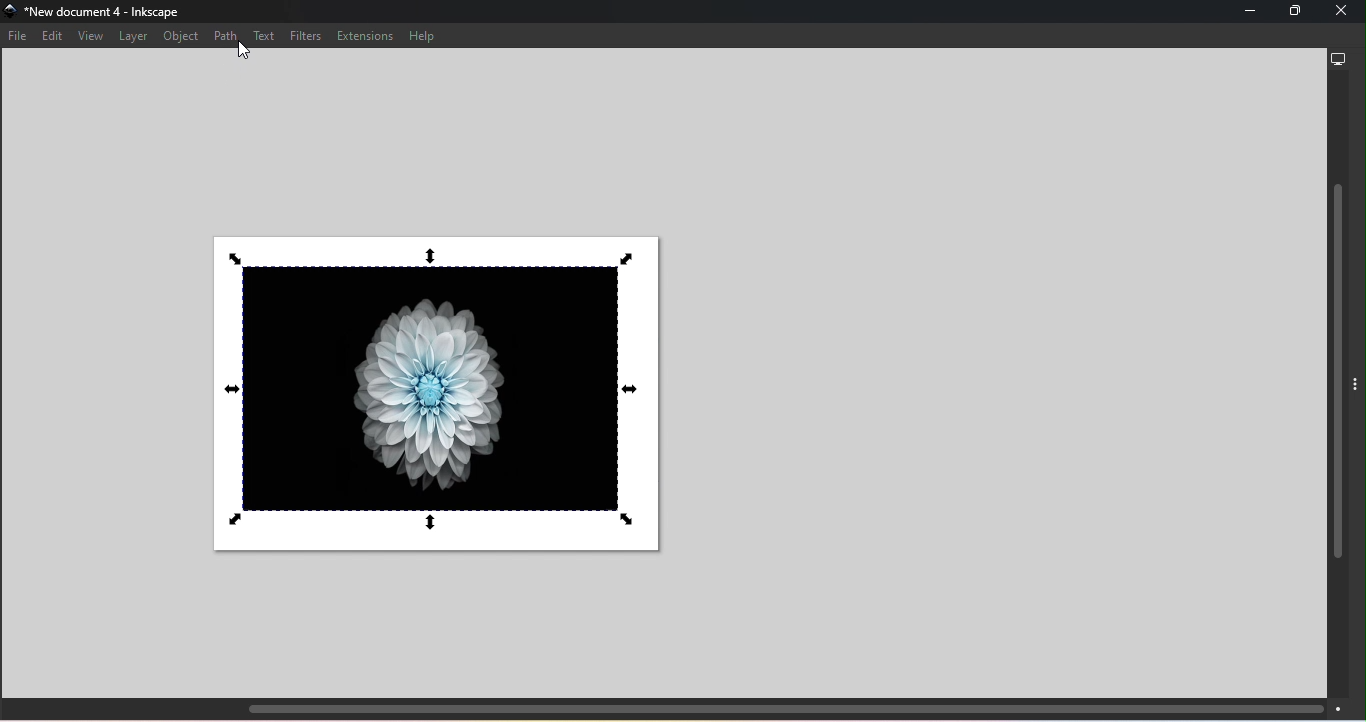 This screenshot has width=1366, height=722. Describe the element at coordinates (246, 52) in the screenshot. I see `Cursor` at that location.